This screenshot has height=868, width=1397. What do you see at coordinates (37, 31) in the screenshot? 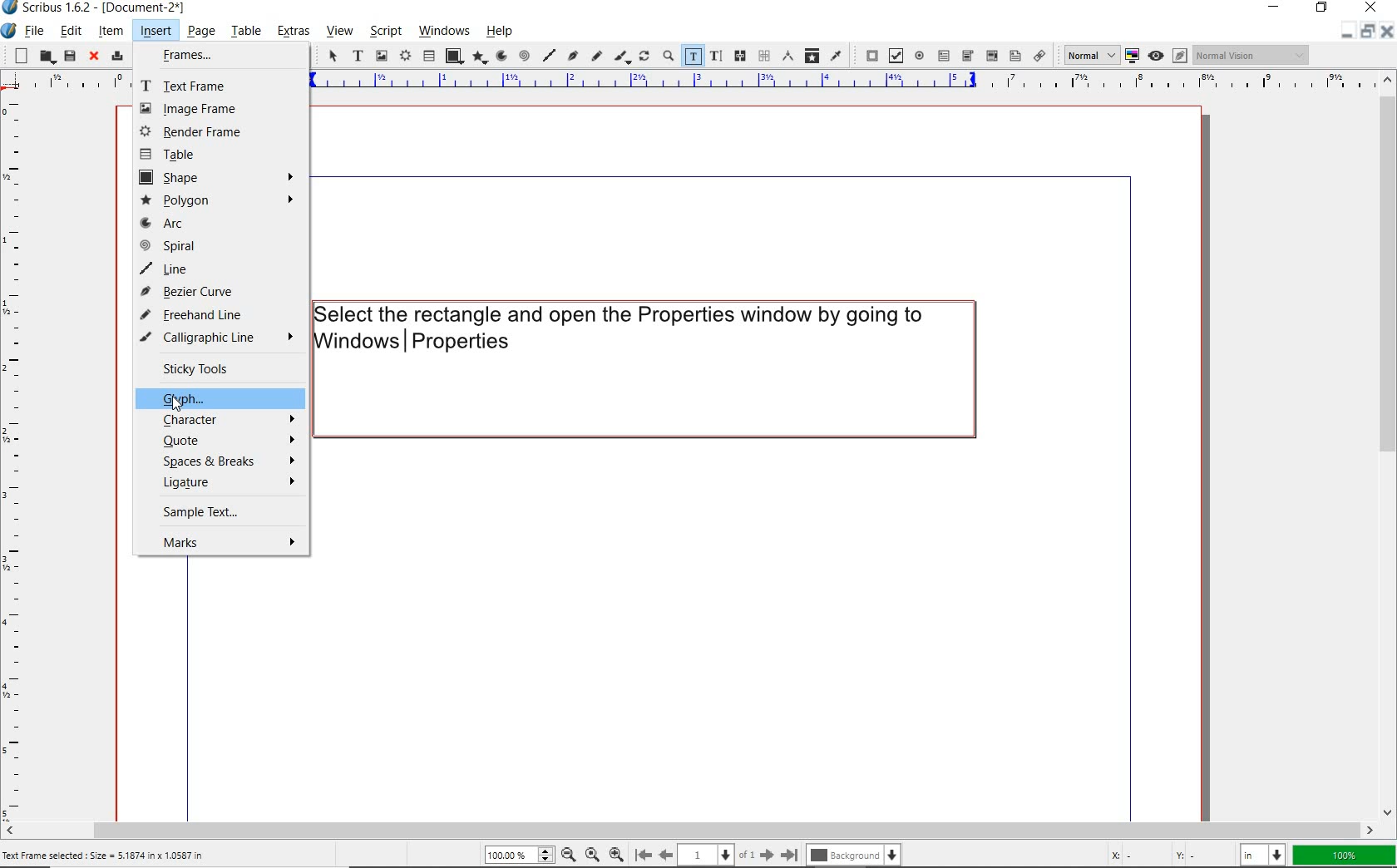
I see `file` at bounding box center [37, 31].